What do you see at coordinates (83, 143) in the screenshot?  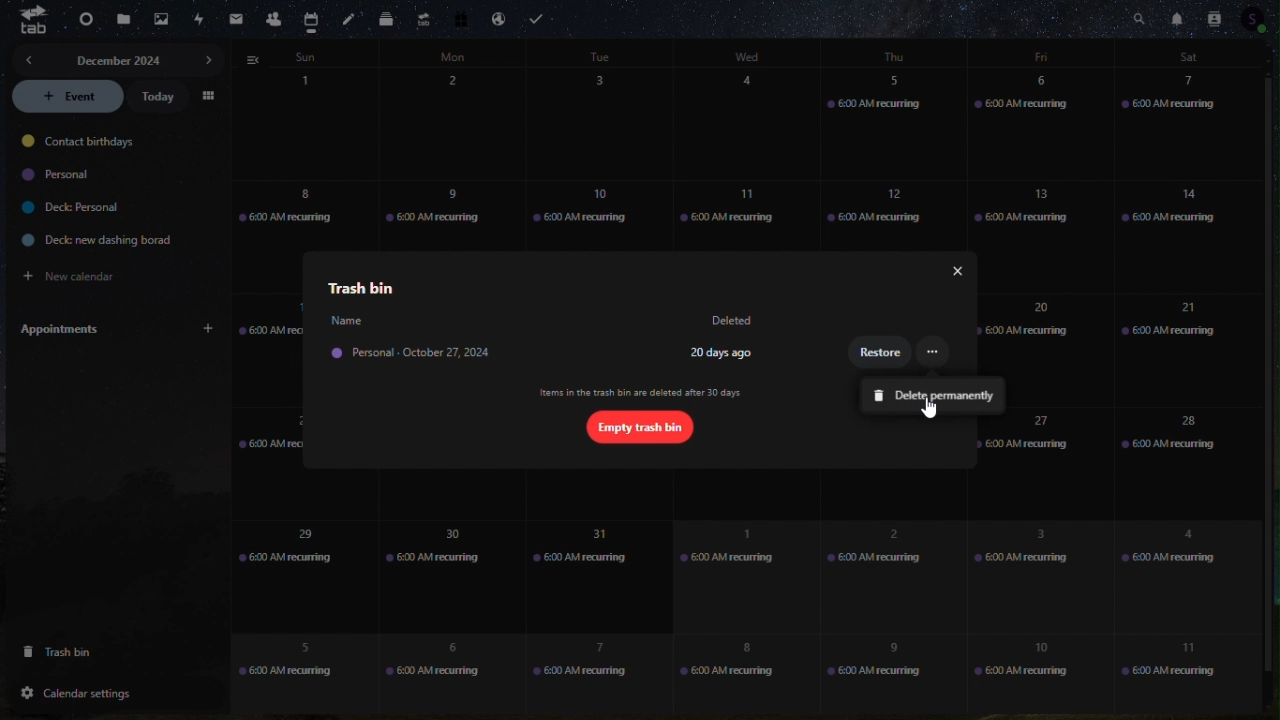 I see `contact birthdays` at bounding box center [83, 143].